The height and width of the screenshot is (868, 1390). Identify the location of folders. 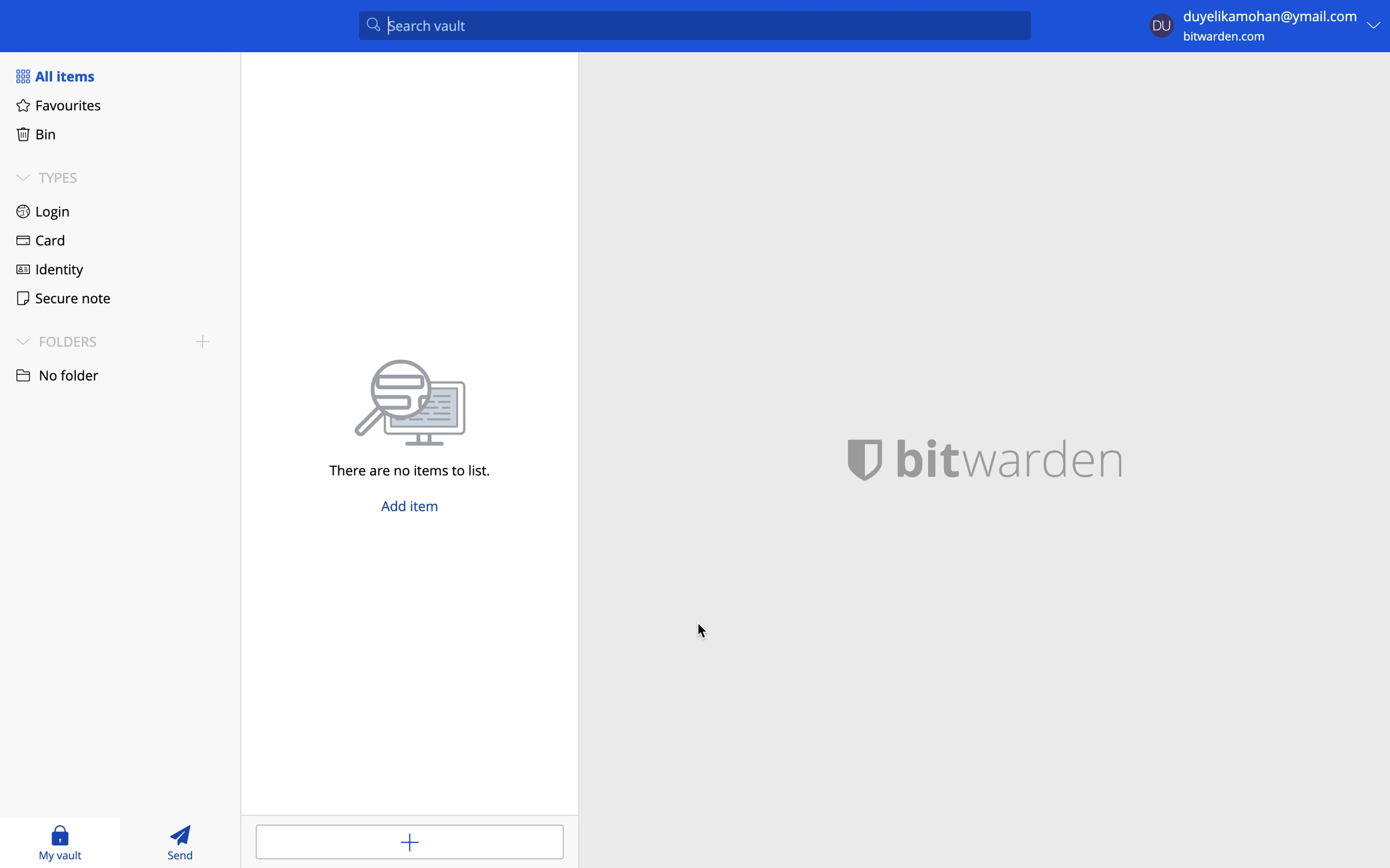
(118, 342).